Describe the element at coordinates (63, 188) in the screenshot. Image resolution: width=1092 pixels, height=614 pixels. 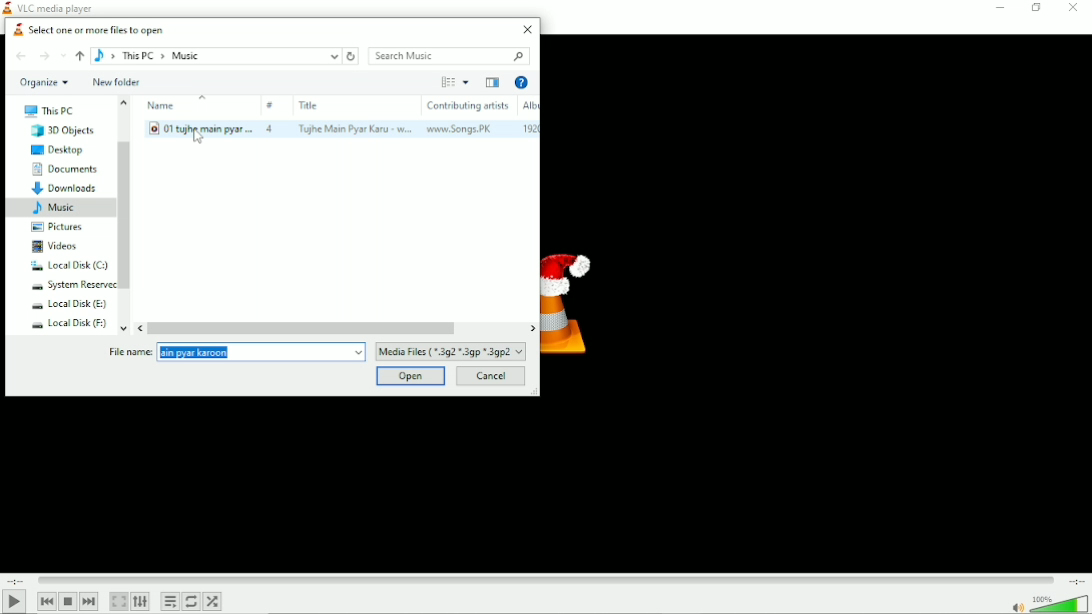
I see `Downloads` at that location.